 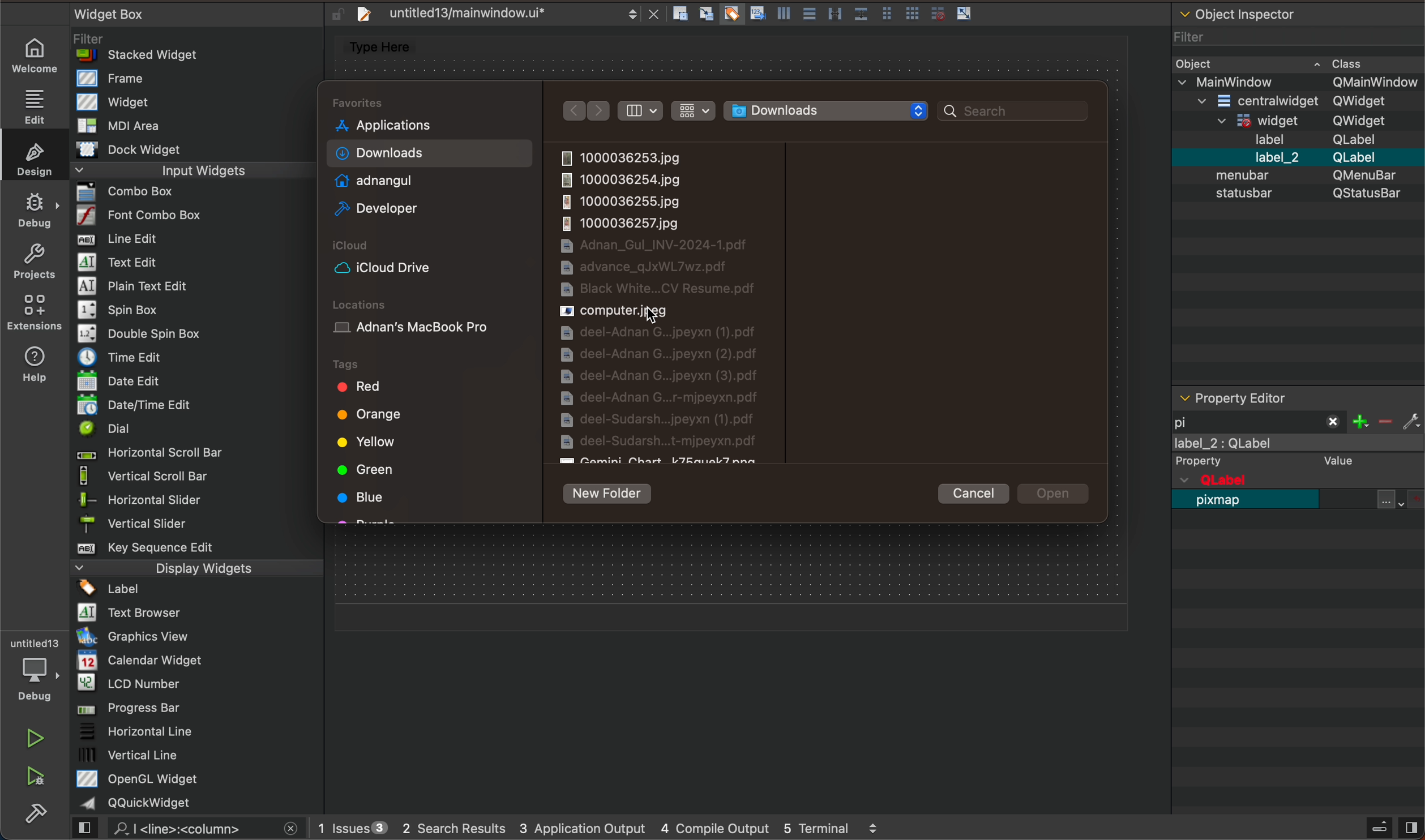 I want to click on object inspector, so click(x=1296, y=194).